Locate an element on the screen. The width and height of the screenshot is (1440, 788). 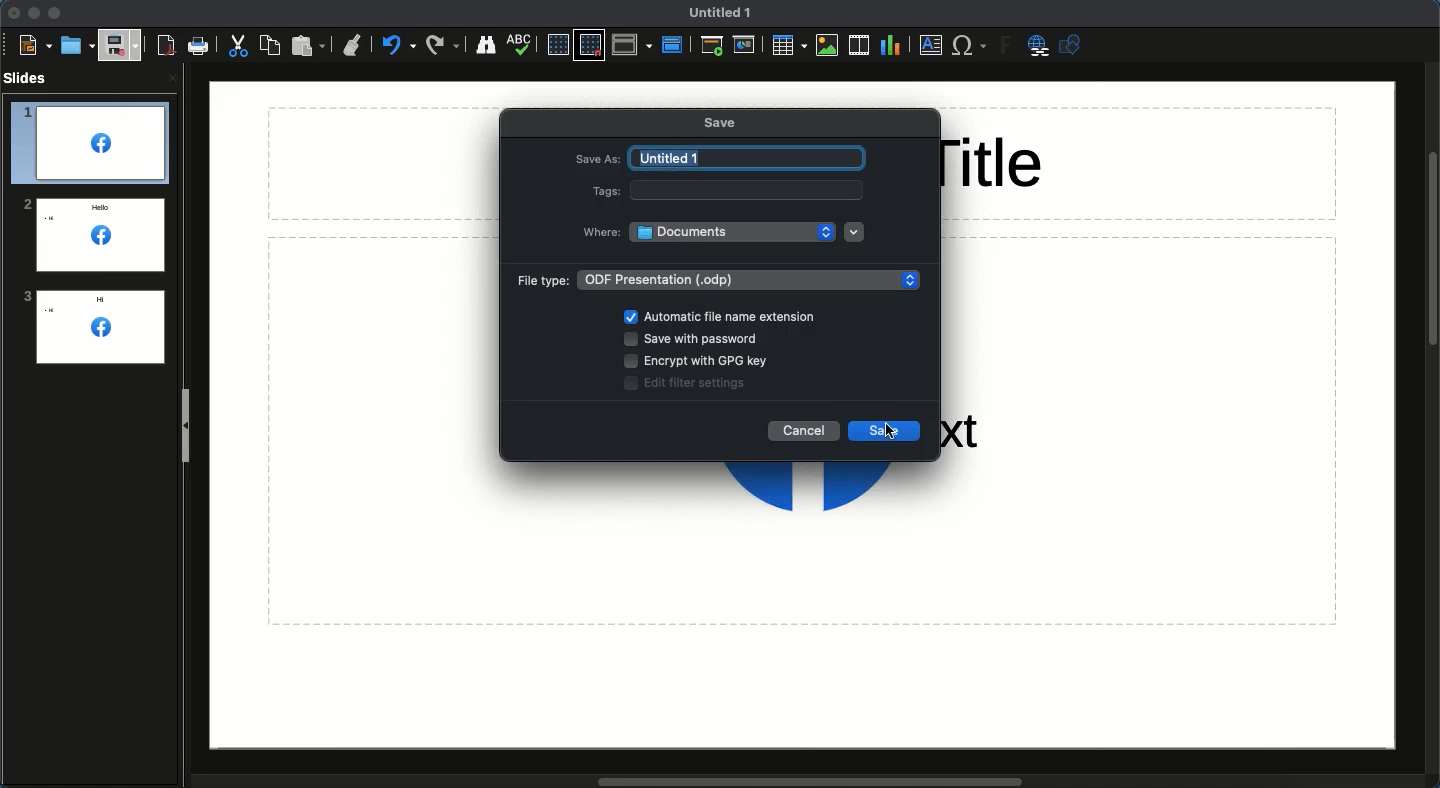
Where is located at coordinates (706, 233).